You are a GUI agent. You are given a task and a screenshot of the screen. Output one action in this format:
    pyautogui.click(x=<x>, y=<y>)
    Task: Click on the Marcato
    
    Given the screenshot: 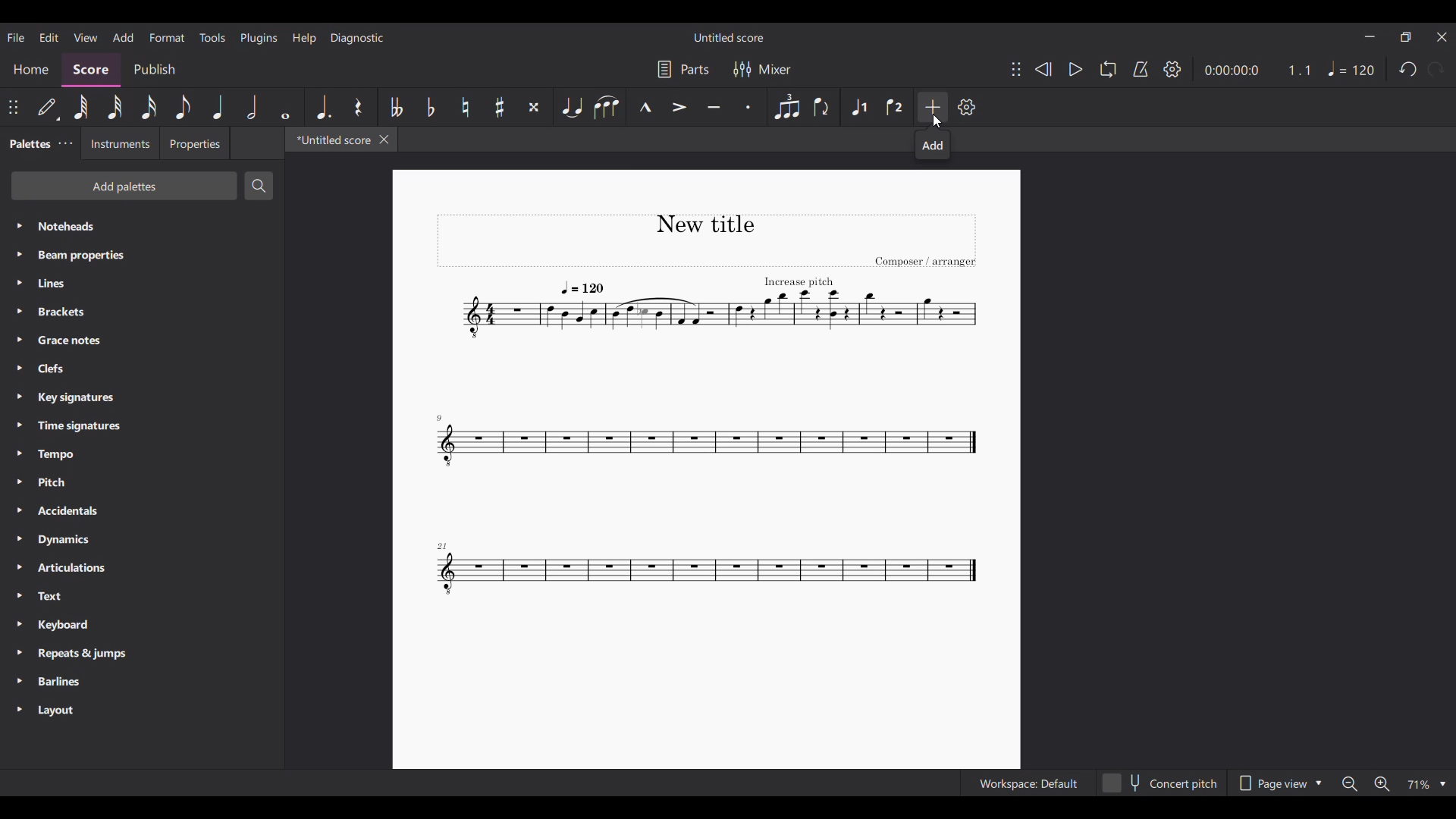 What is the action you would take?
    pyautogui.click(x=645, y=108)
    